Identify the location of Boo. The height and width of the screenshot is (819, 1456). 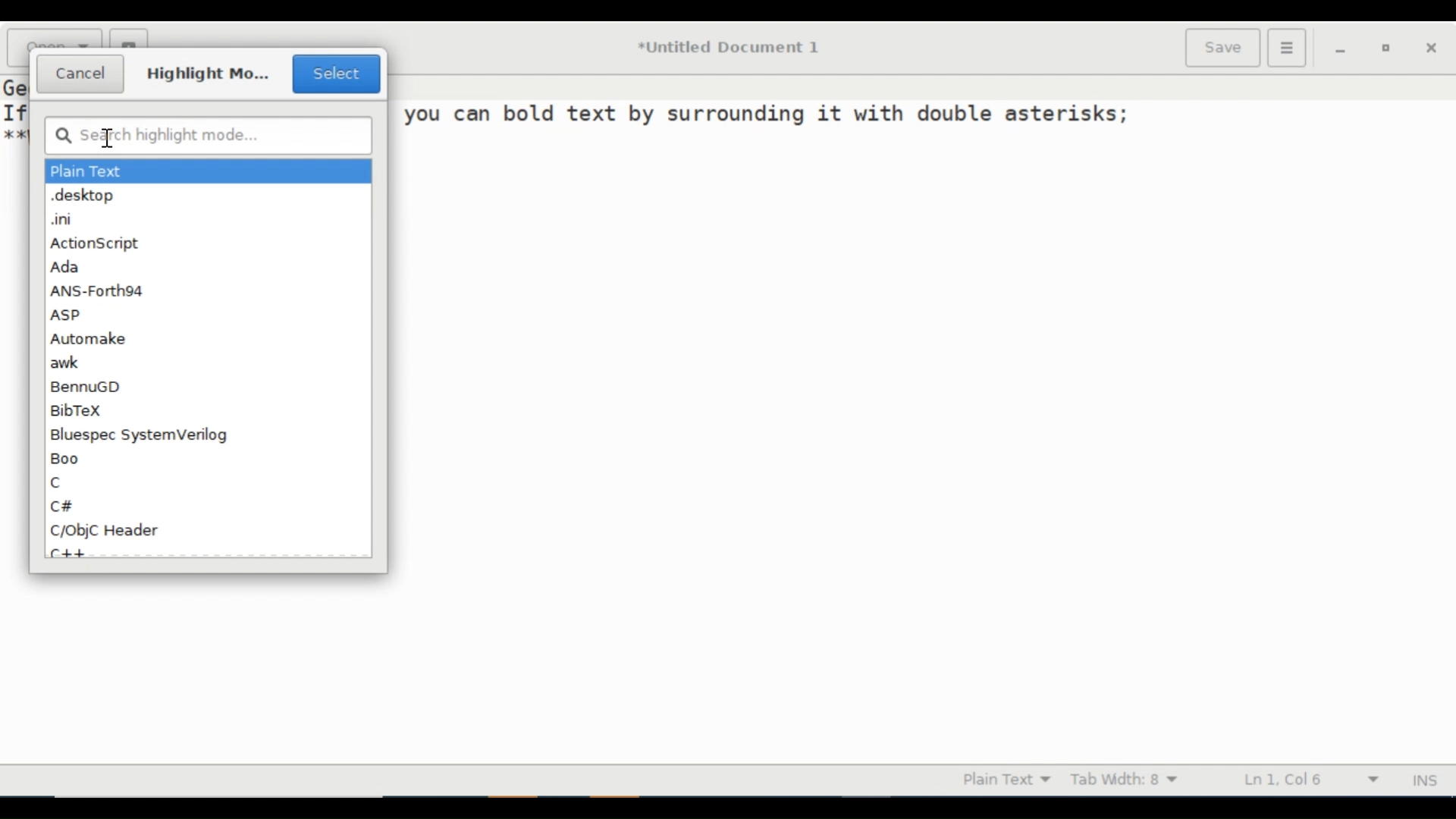
(67, 460).